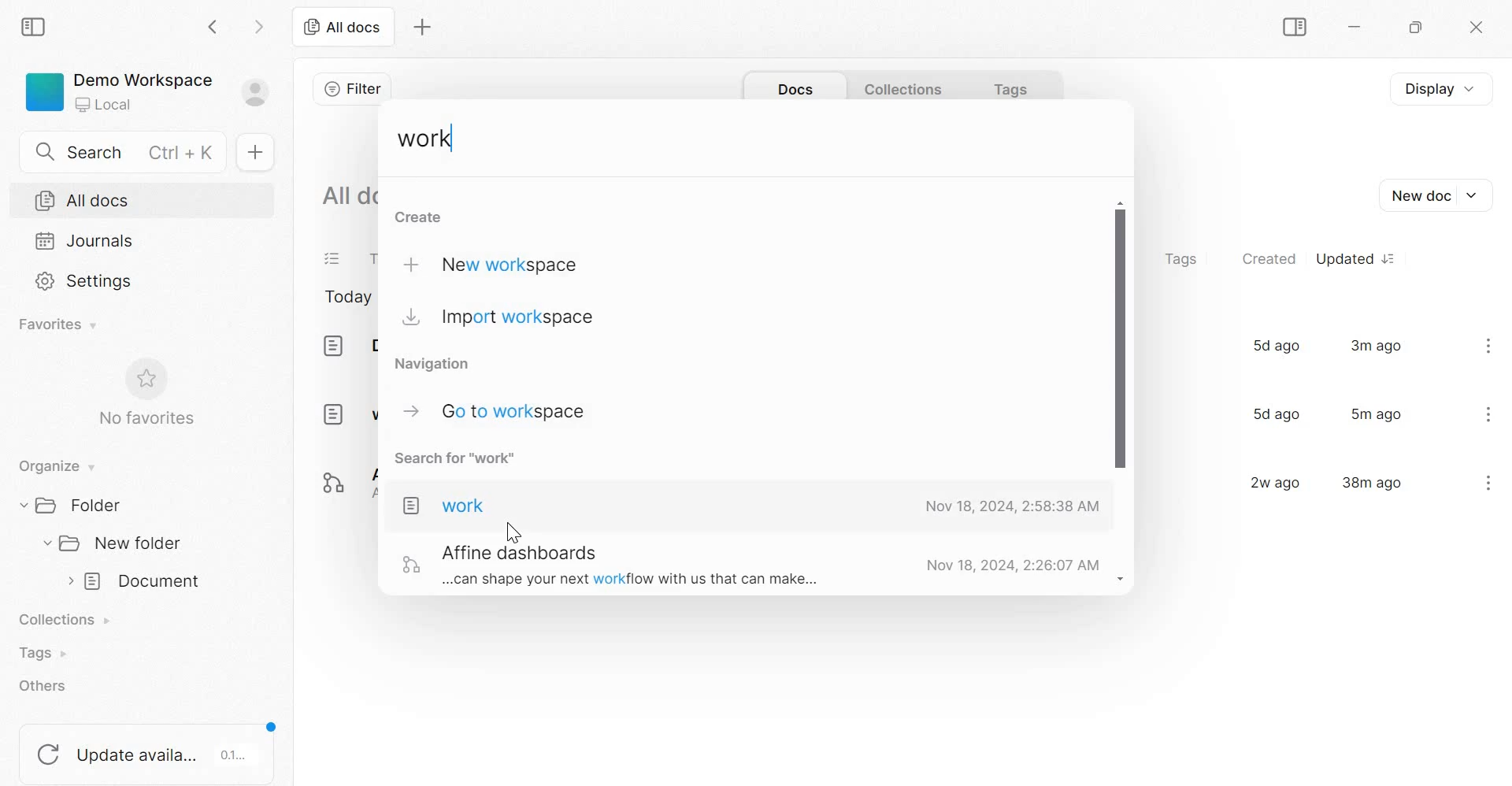  I want to click on Go forward, so click(259, 25).